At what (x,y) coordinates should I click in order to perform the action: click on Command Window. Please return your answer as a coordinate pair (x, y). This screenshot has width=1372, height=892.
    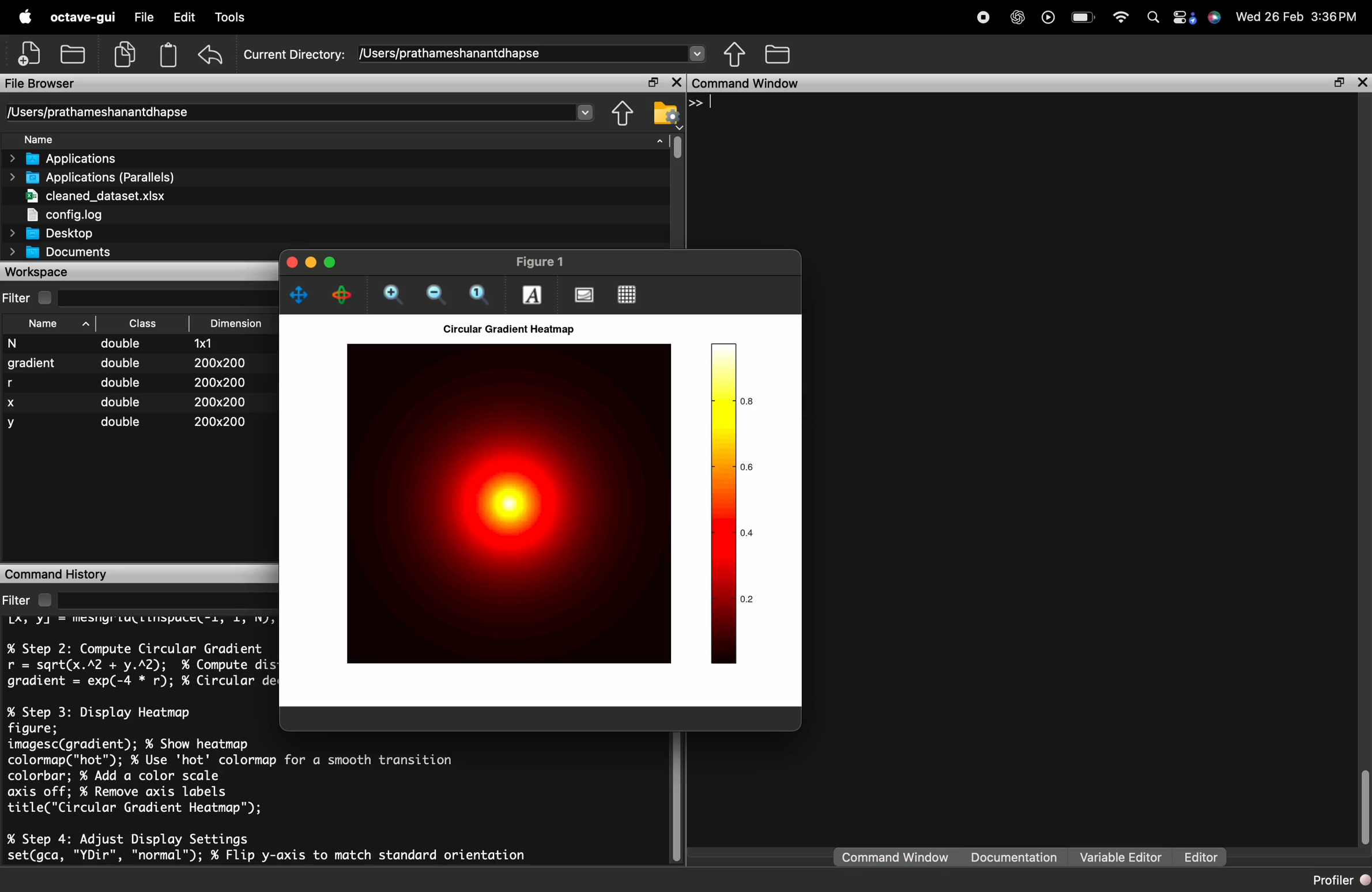
    Looking at the image, I should click on (985, 82).